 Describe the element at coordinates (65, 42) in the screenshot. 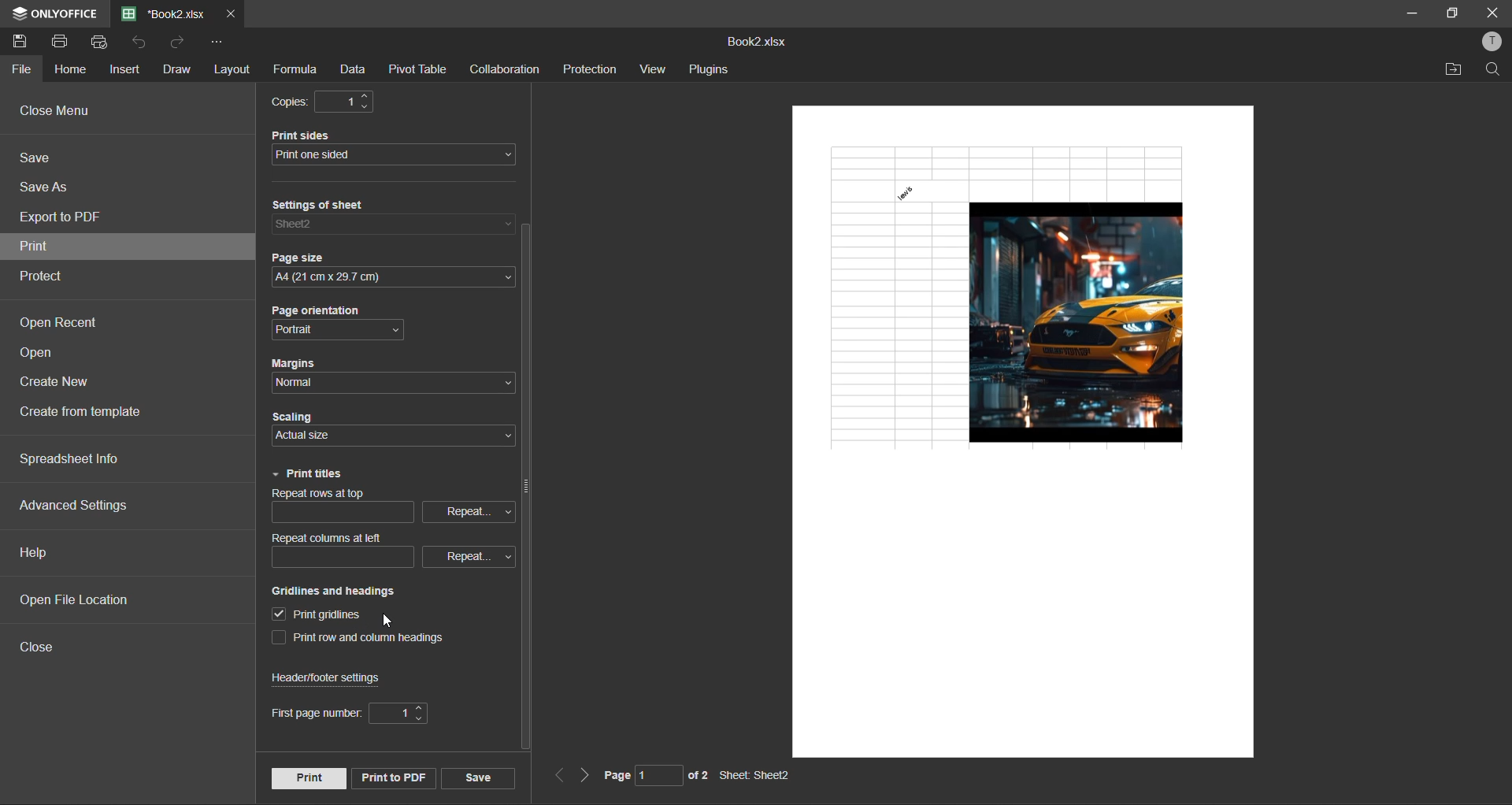

I see `print` at that location.